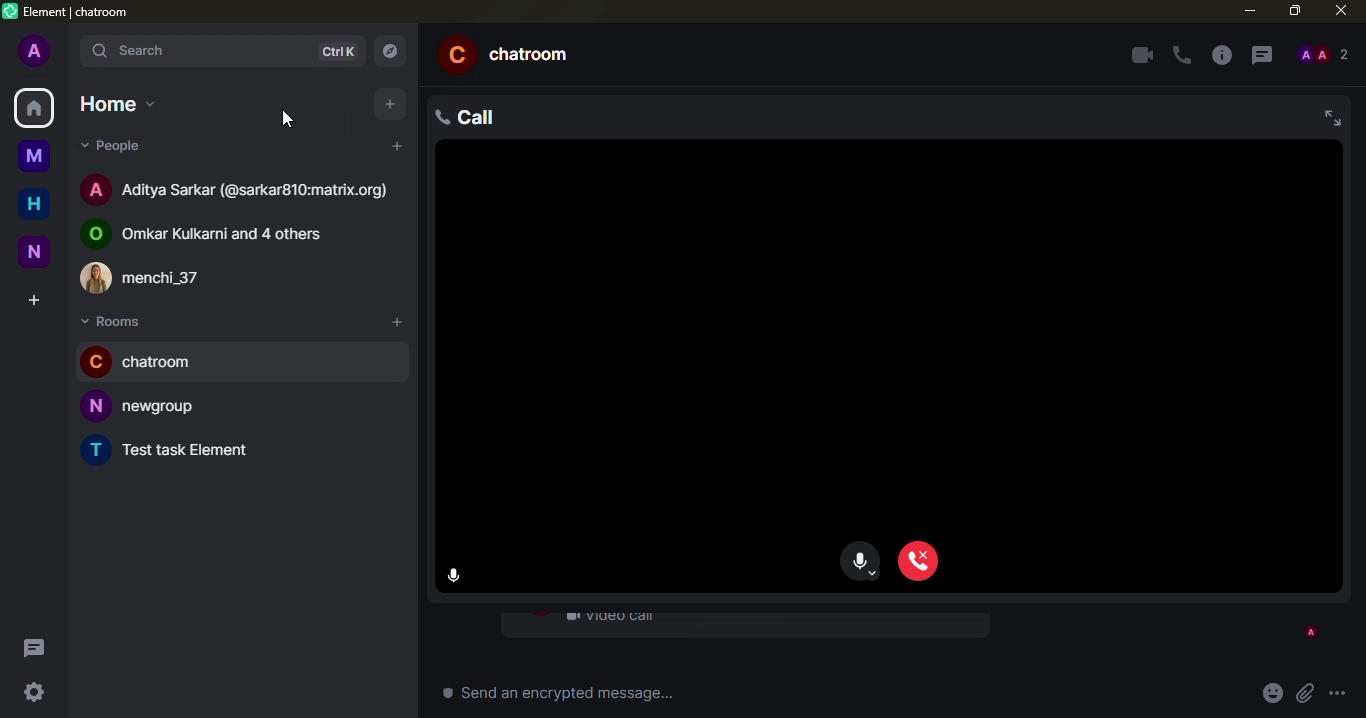  I want to click on cursor, so click(285, 118).